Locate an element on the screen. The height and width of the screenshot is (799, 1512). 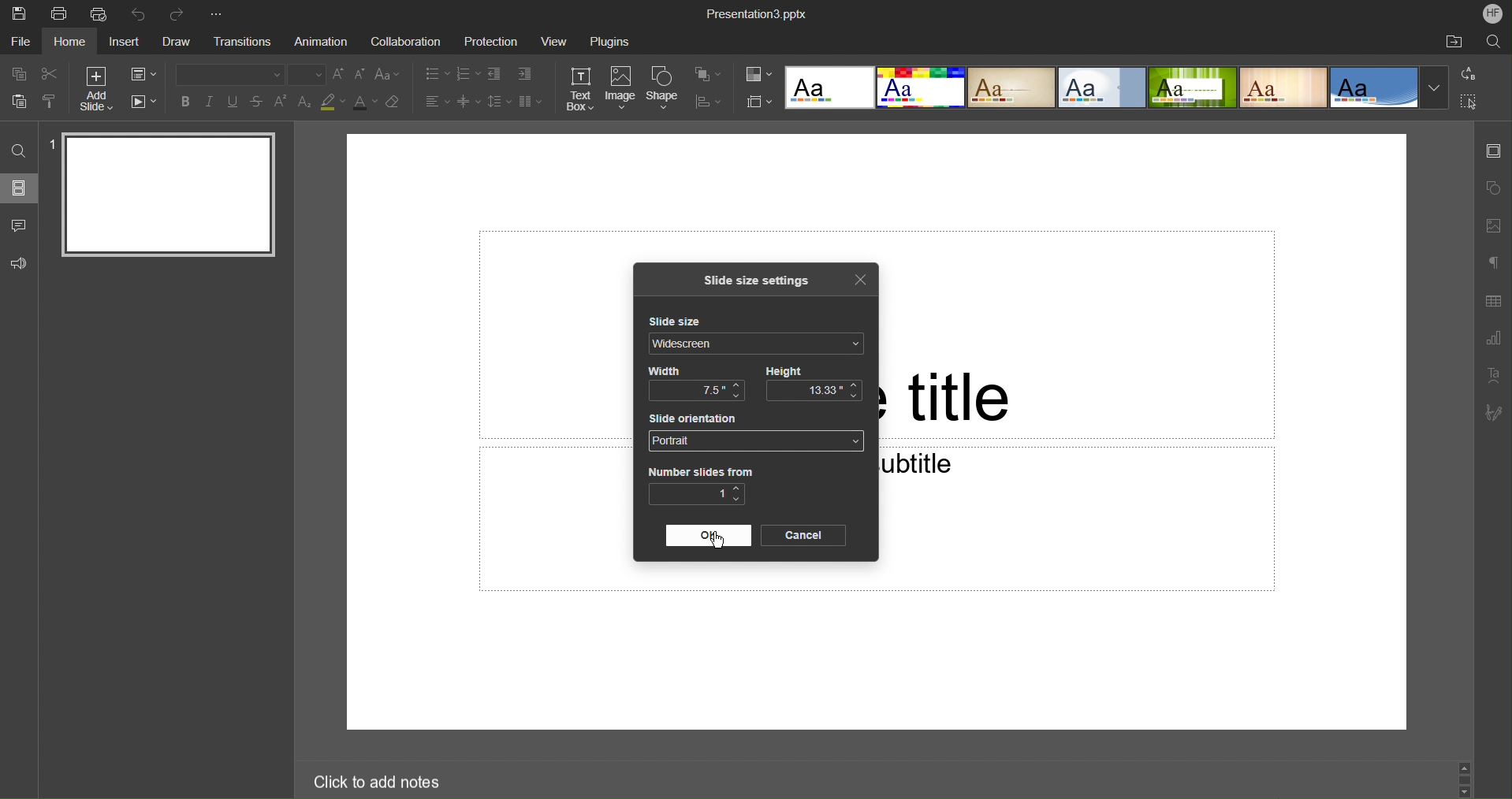
Superscript is located at coordinates (281, 102).